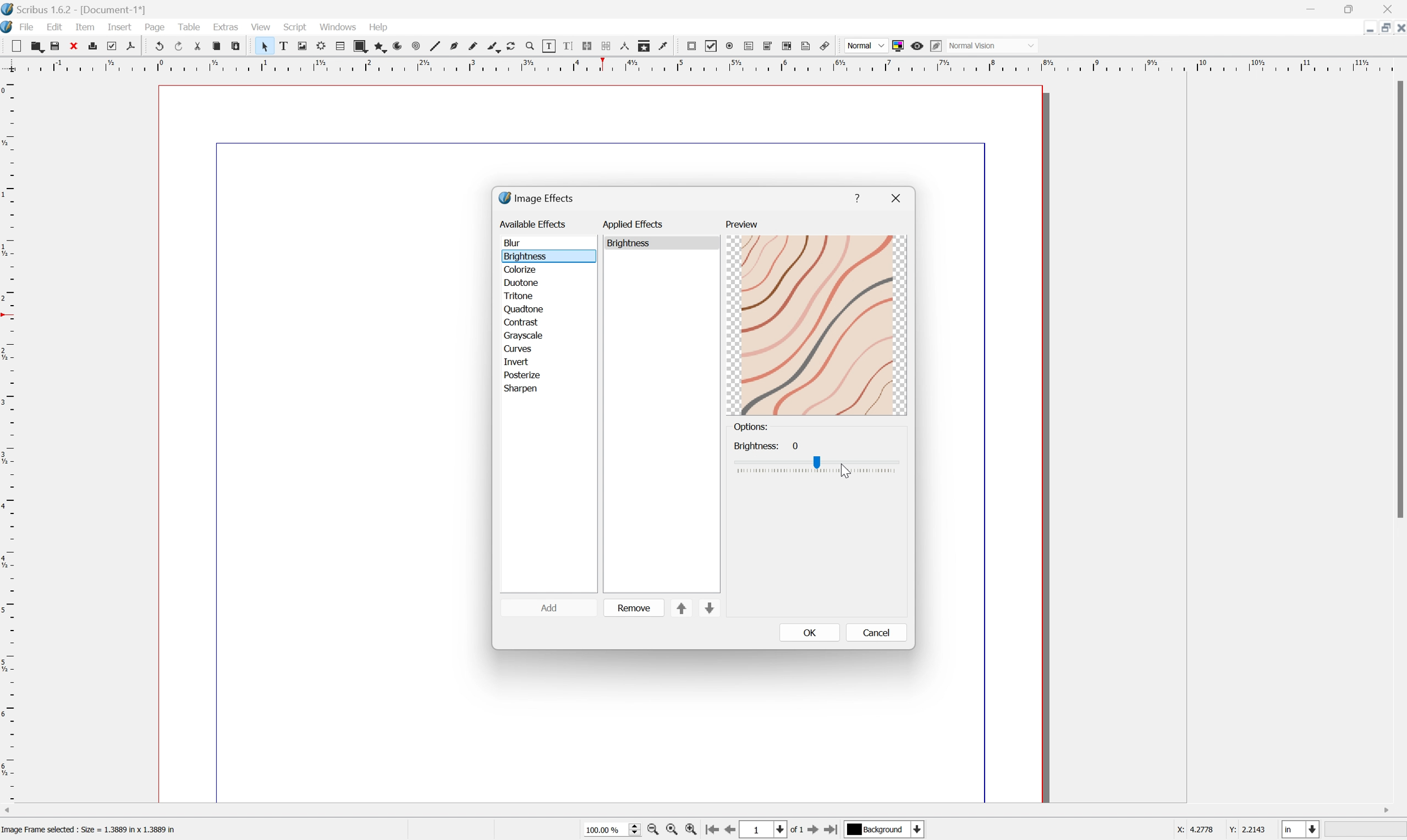  What do you see at coordinates (1390, 9) in the screenshot?
I see `Close` at bounding box center [1390, 9].